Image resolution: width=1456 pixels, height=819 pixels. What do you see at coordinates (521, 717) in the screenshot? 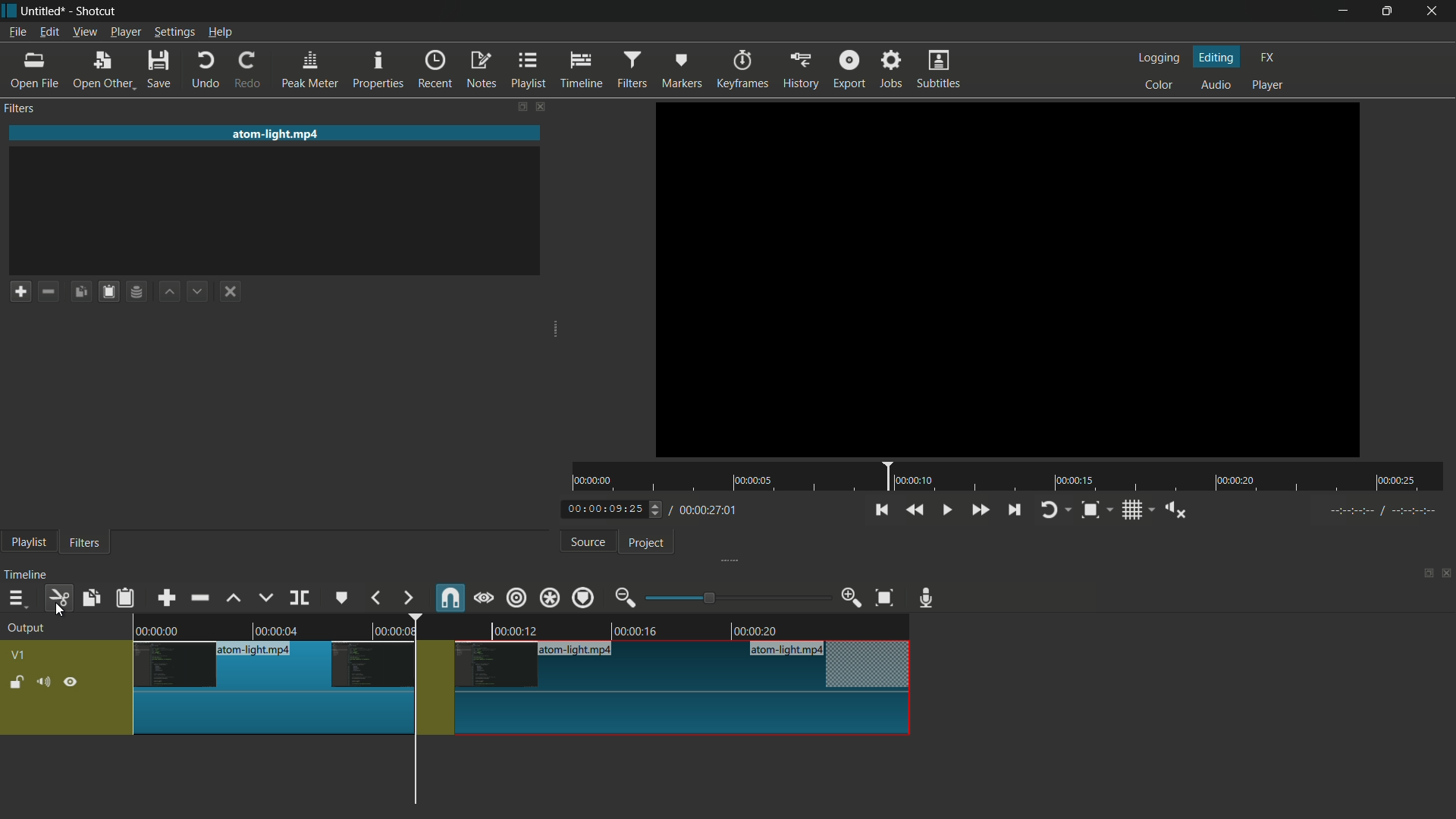
I see `` at bounding box center [521, 717].